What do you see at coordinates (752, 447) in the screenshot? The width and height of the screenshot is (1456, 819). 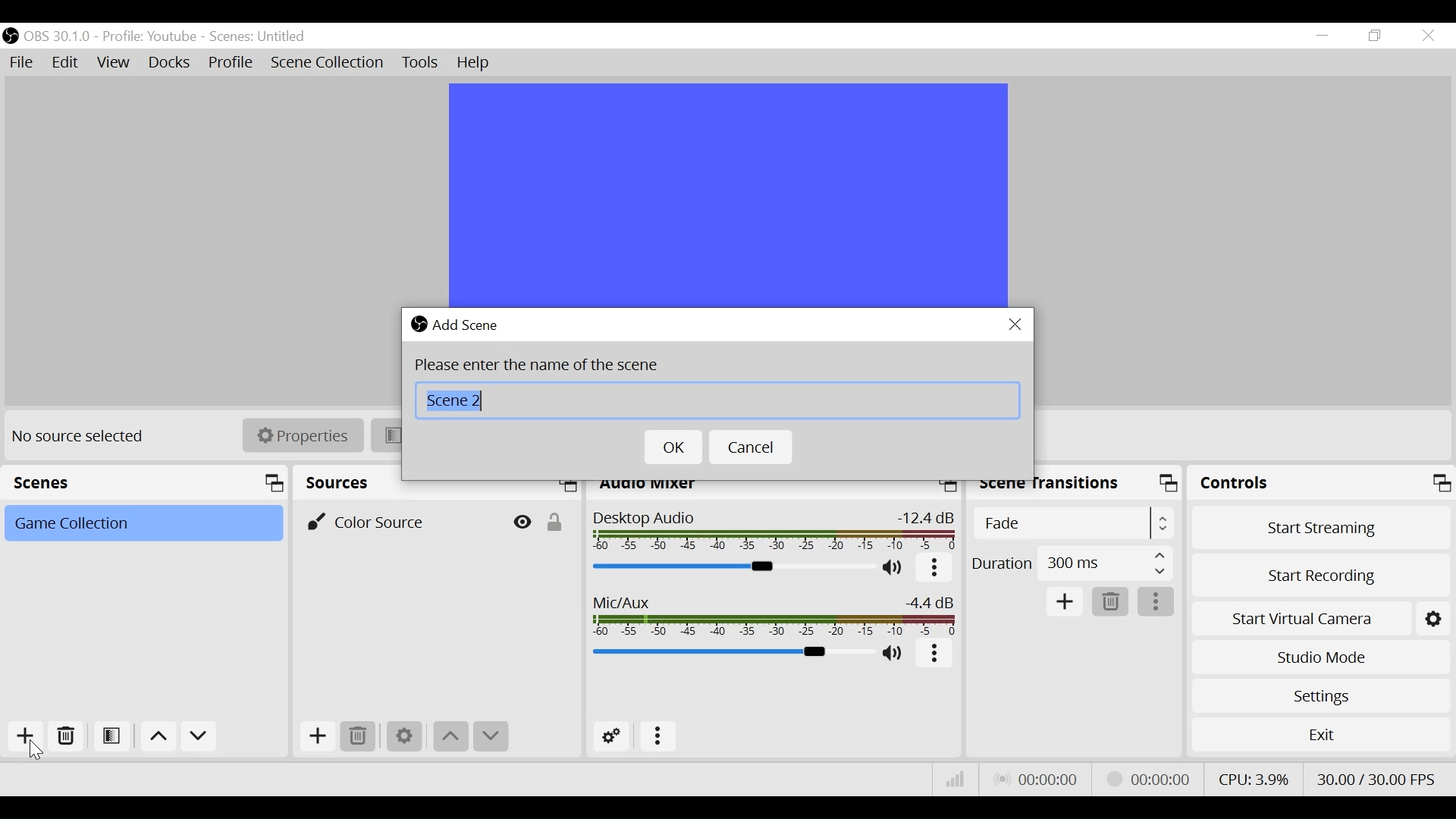 I see `Cancel` at bounding box center [752, 447].